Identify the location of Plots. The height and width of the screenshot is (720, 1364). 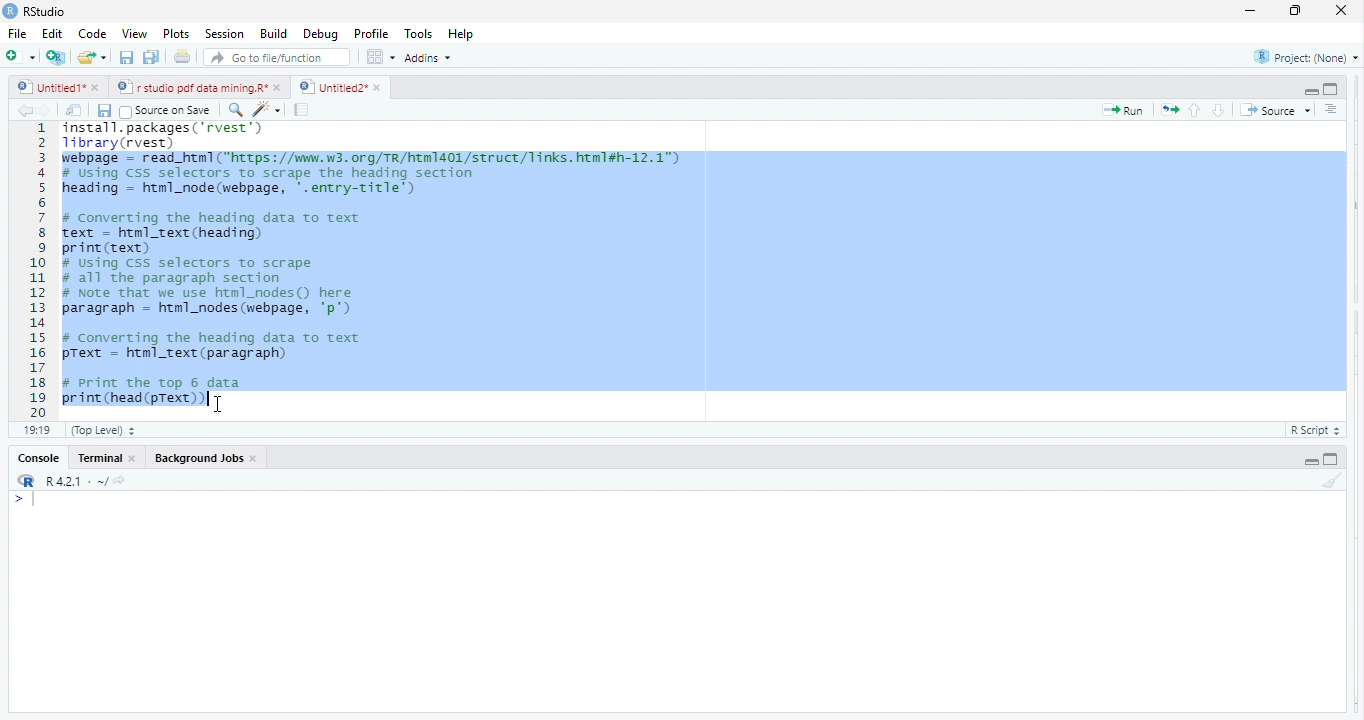
(175, 34).